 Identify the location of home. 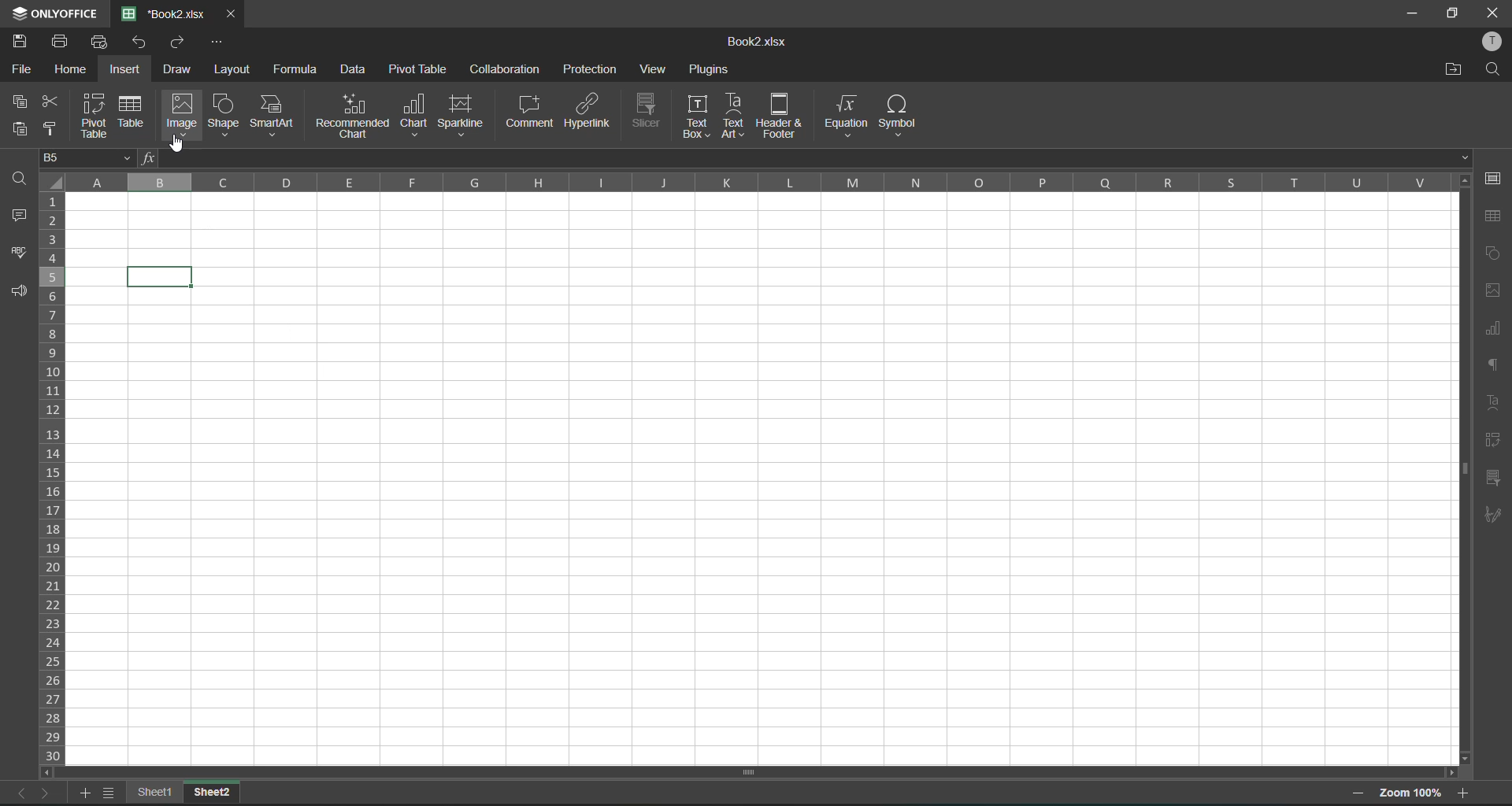
(75, 70).